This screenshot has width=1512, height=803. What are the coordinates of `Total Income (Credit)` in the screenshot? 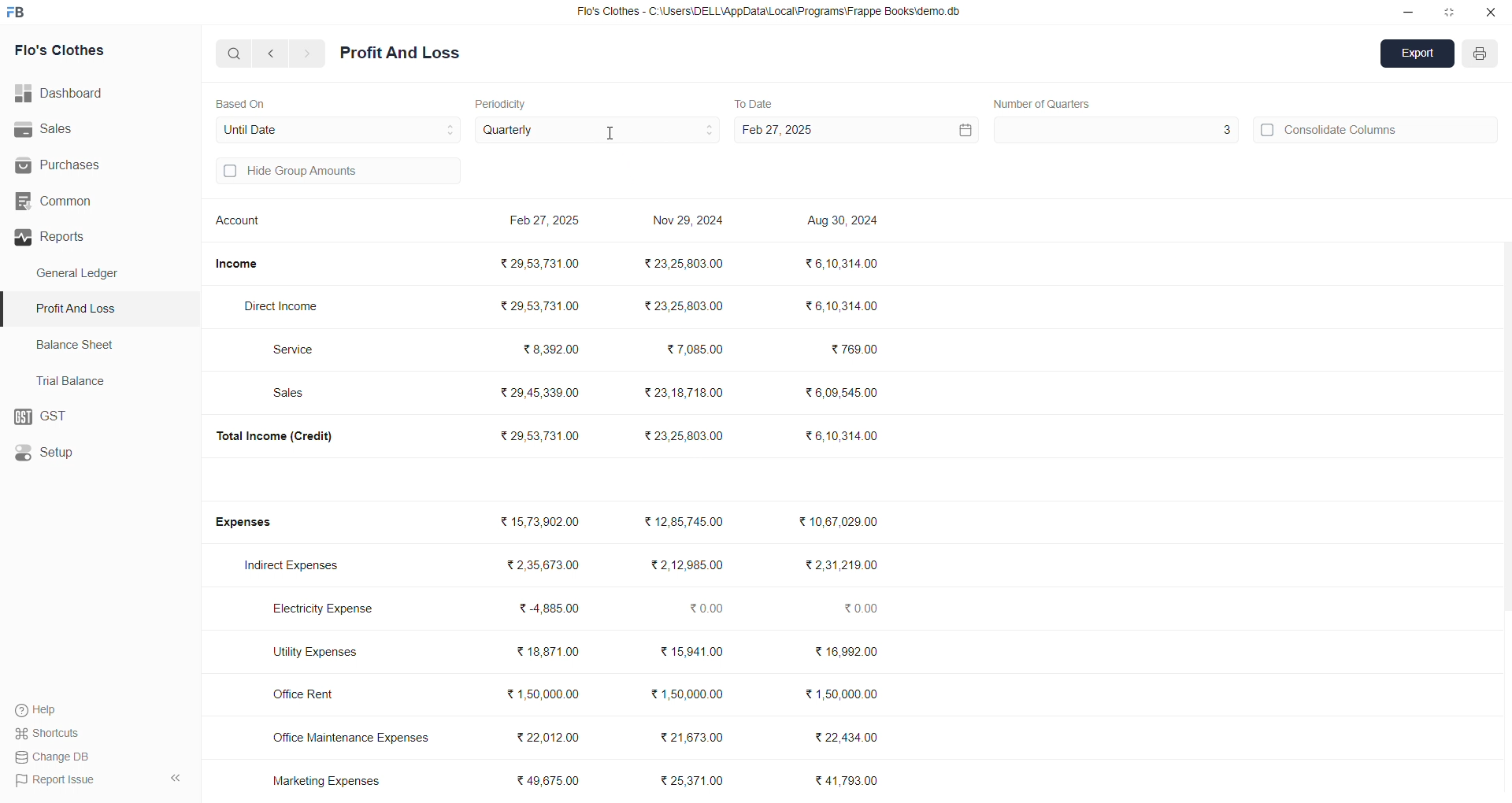 It's located at (287, 435).